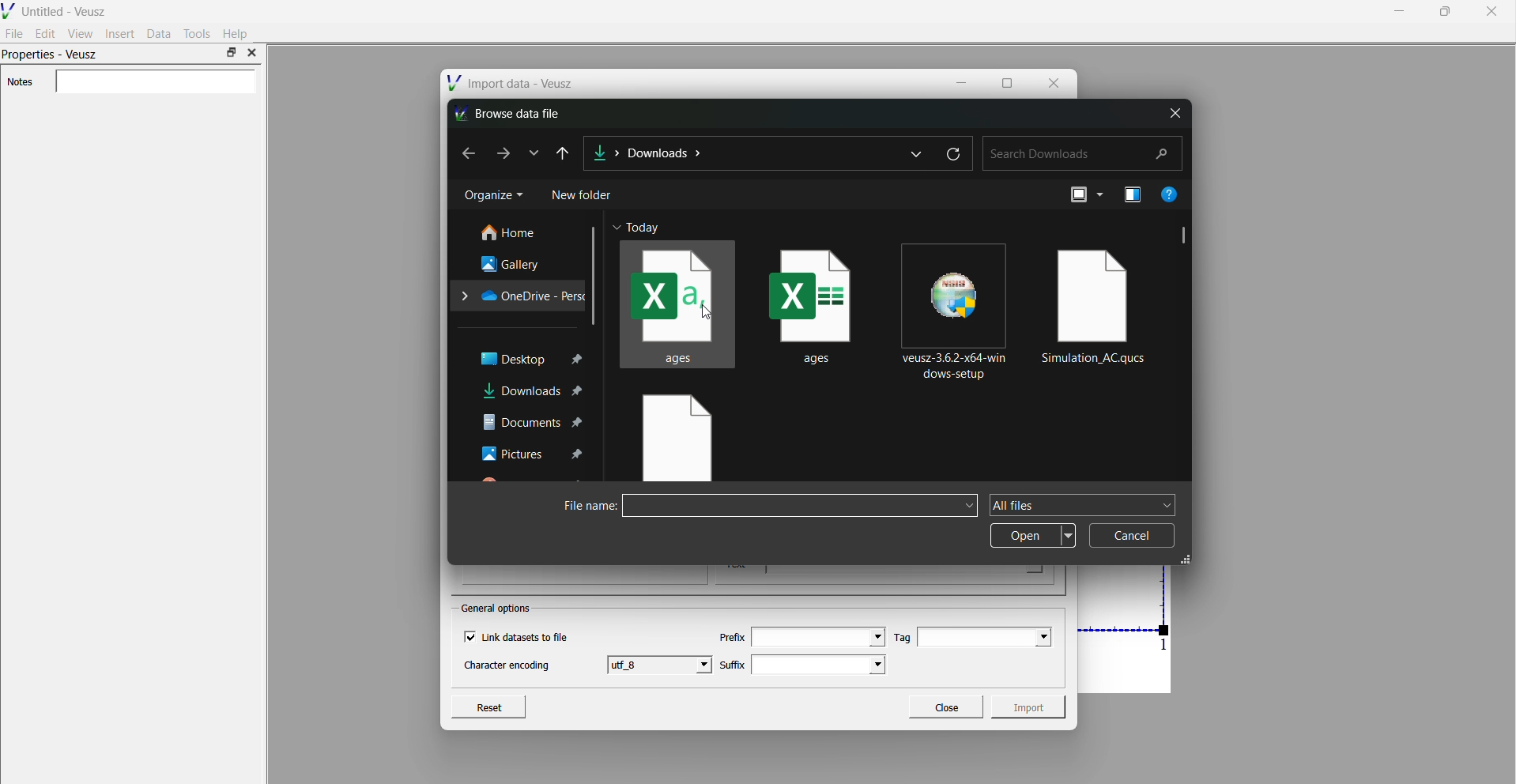  What do you see at coordinates (820, 665) in the screenshot?
I see `suffix field` at bounding box center [820, 665].